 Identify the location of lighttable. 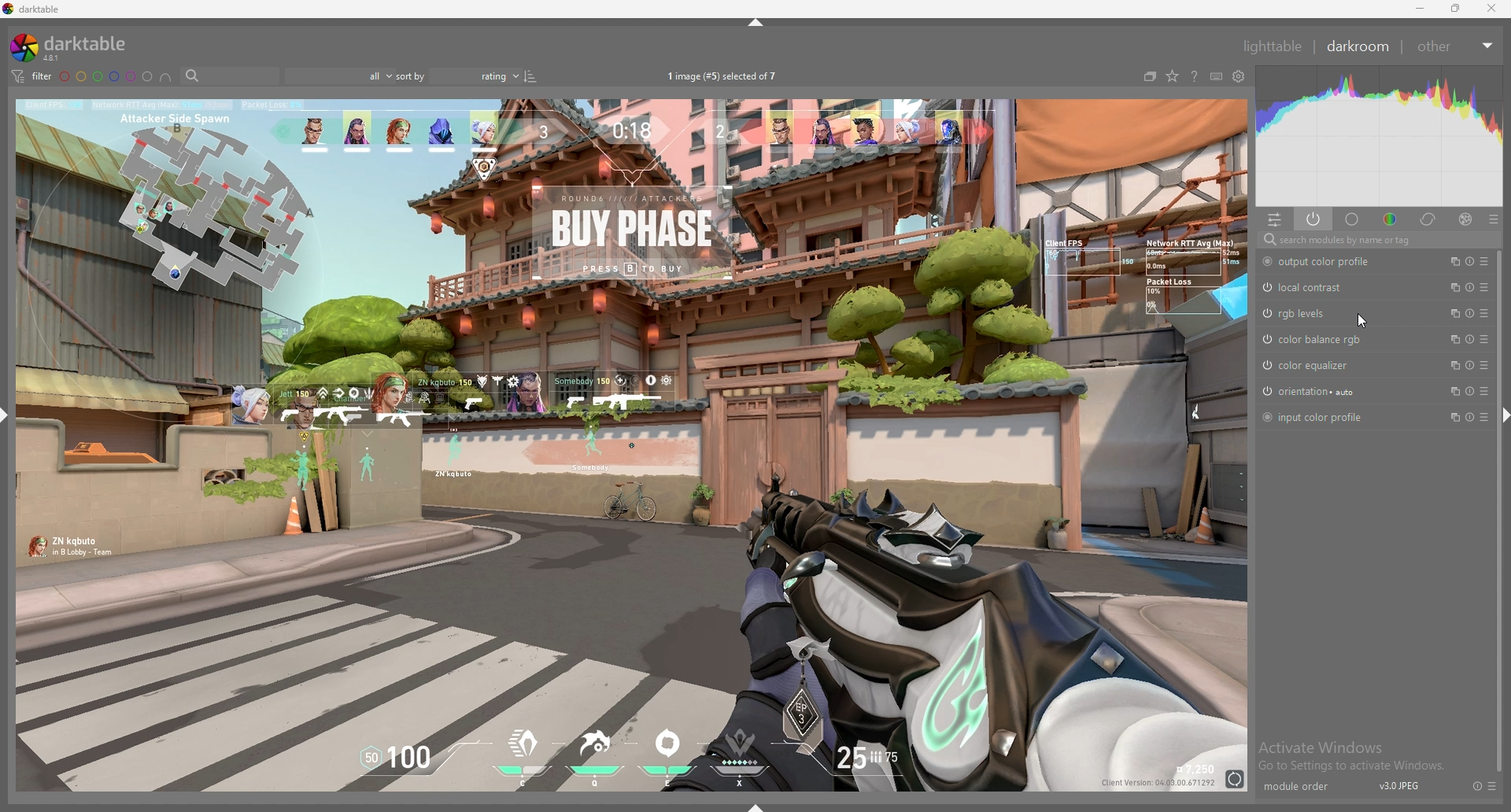
(1273, 46).